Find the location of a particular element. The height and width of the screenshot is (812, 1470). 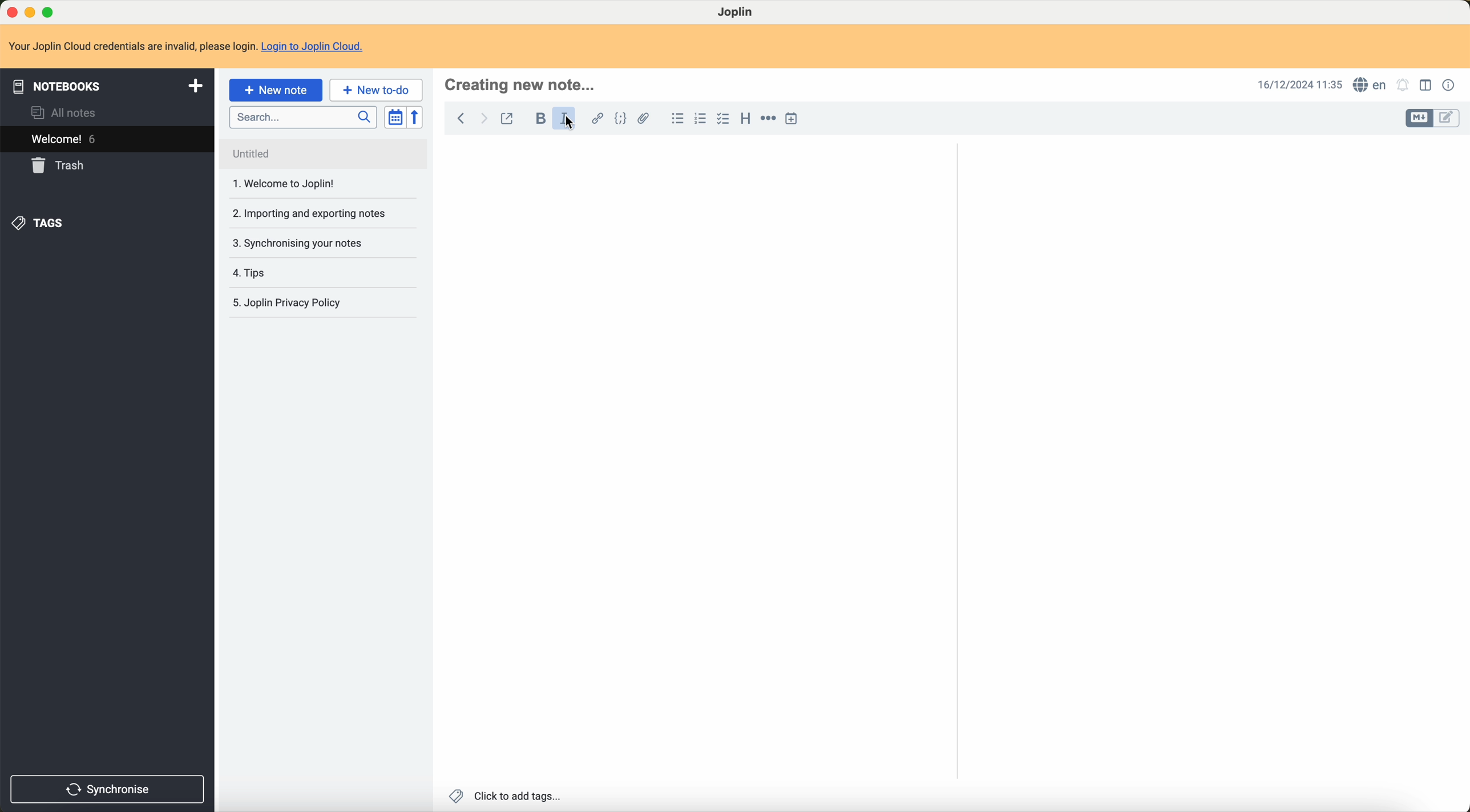

back is located at coordinates (461, 119).